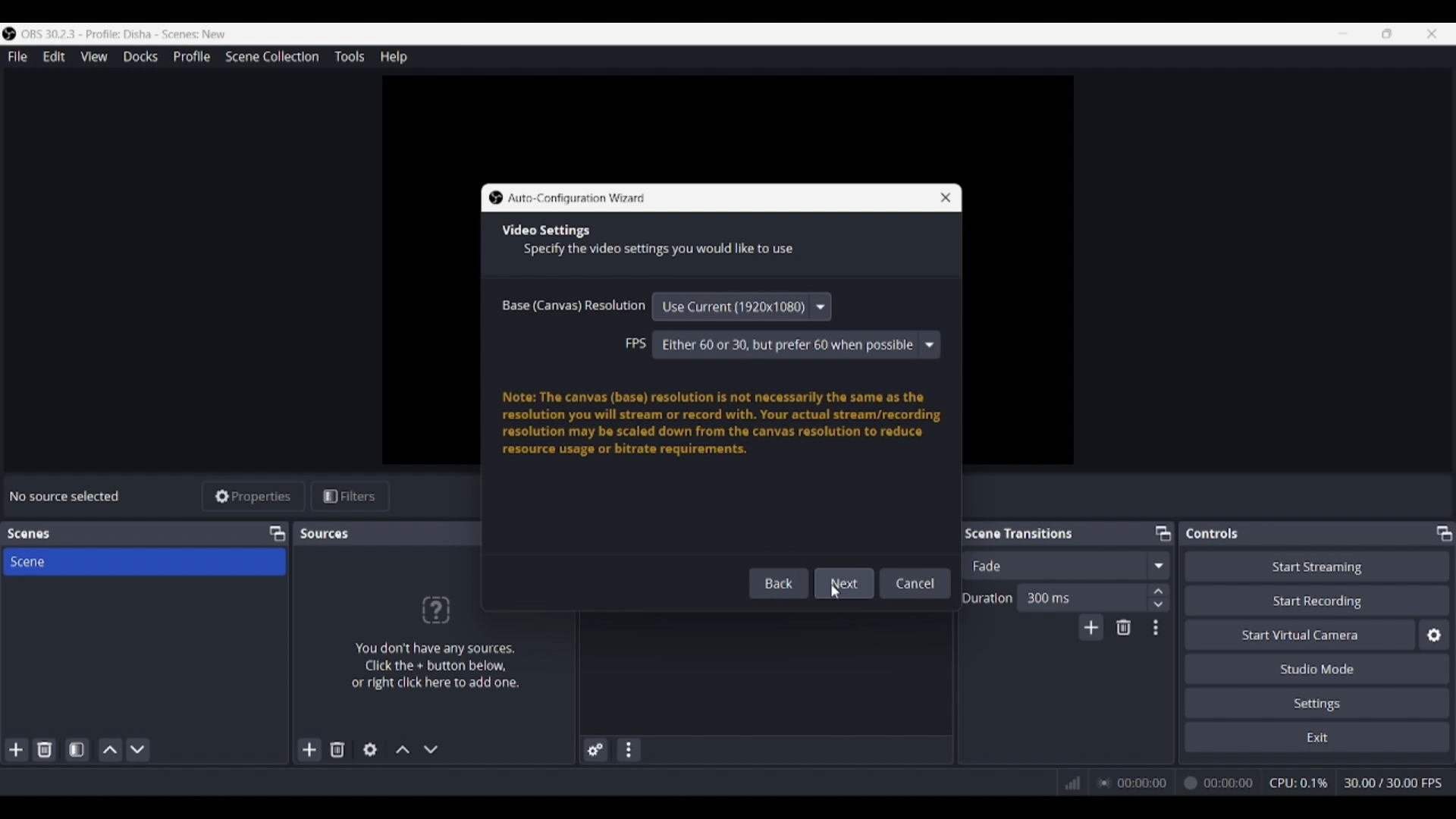 The image size is (1456, 819). I want to click on Add scene, so click(17, 750).